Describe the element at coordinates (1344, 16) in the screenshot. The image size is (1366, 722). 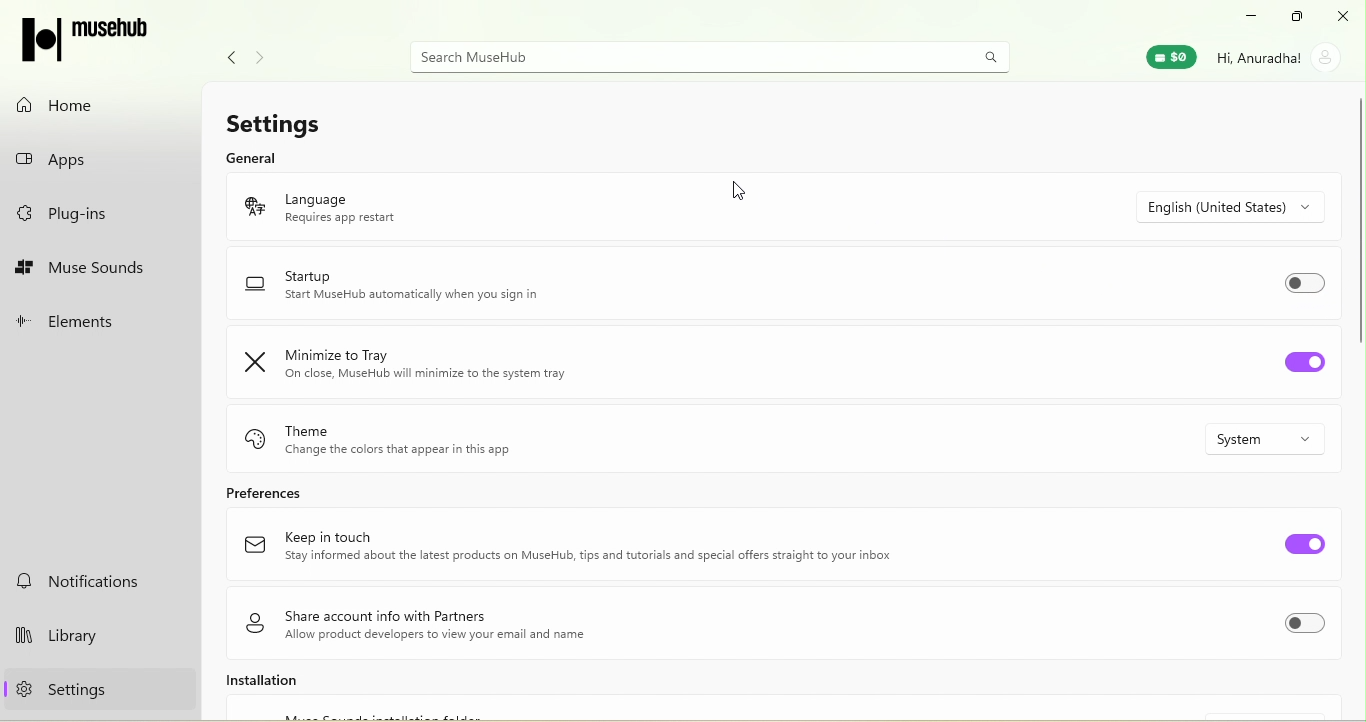
I see `close` at that location.